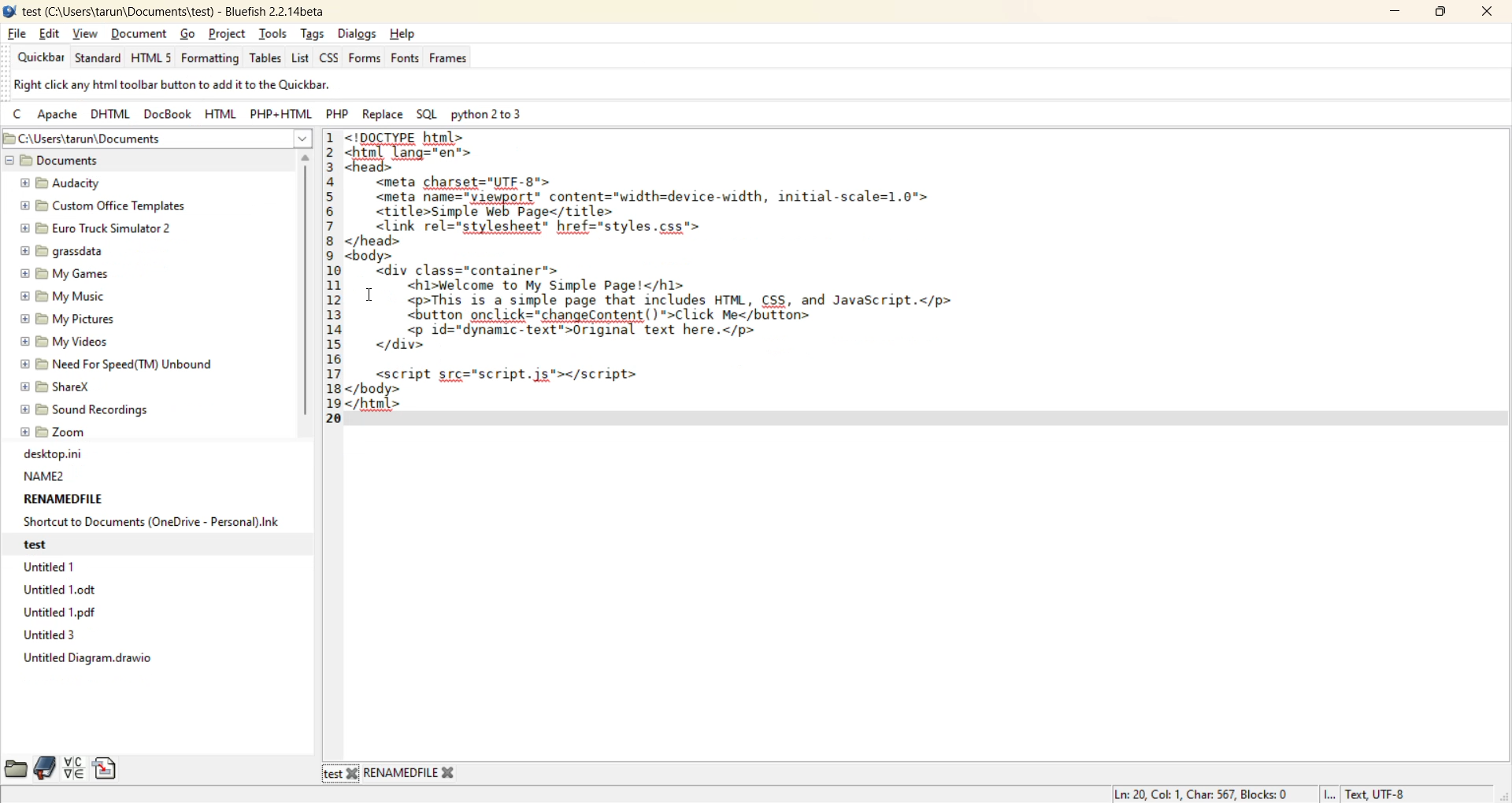 This screenshot has height=803, width=1512. I want to click on formatting, so click(212, 57).